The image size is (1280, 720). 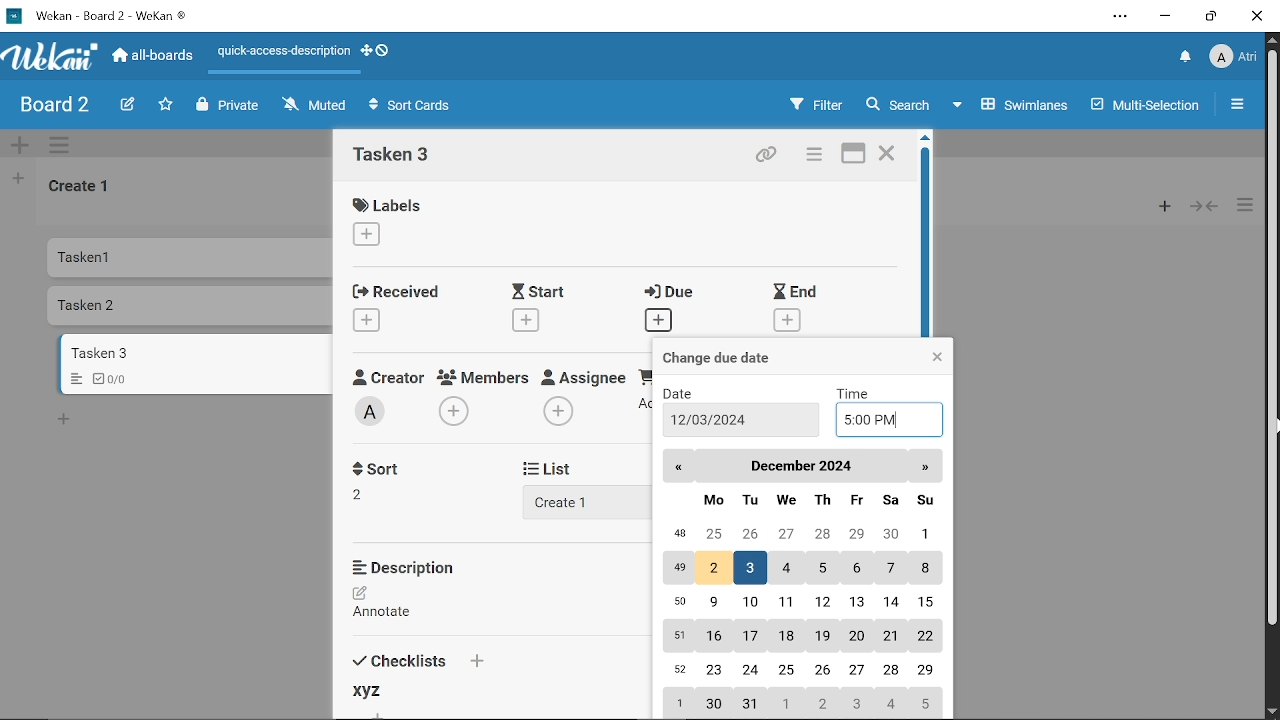 What do you see at coordinates (936, 358) in the screenshot?
I see `Close` at bounding box center [936, 358].